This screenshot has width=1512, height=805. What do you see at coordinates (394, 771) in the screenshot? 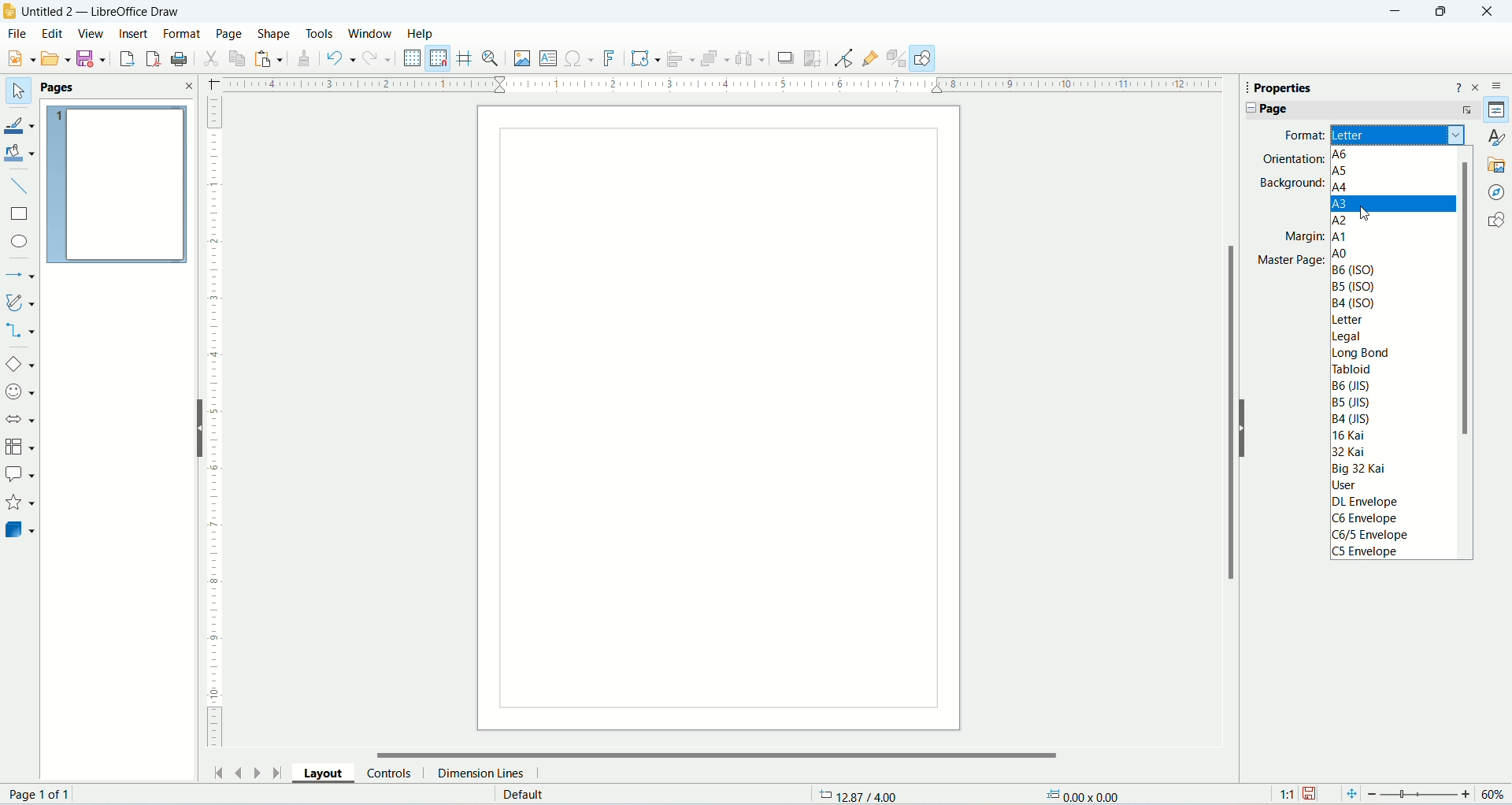
I see `controls` at bounding box center [394, 771].